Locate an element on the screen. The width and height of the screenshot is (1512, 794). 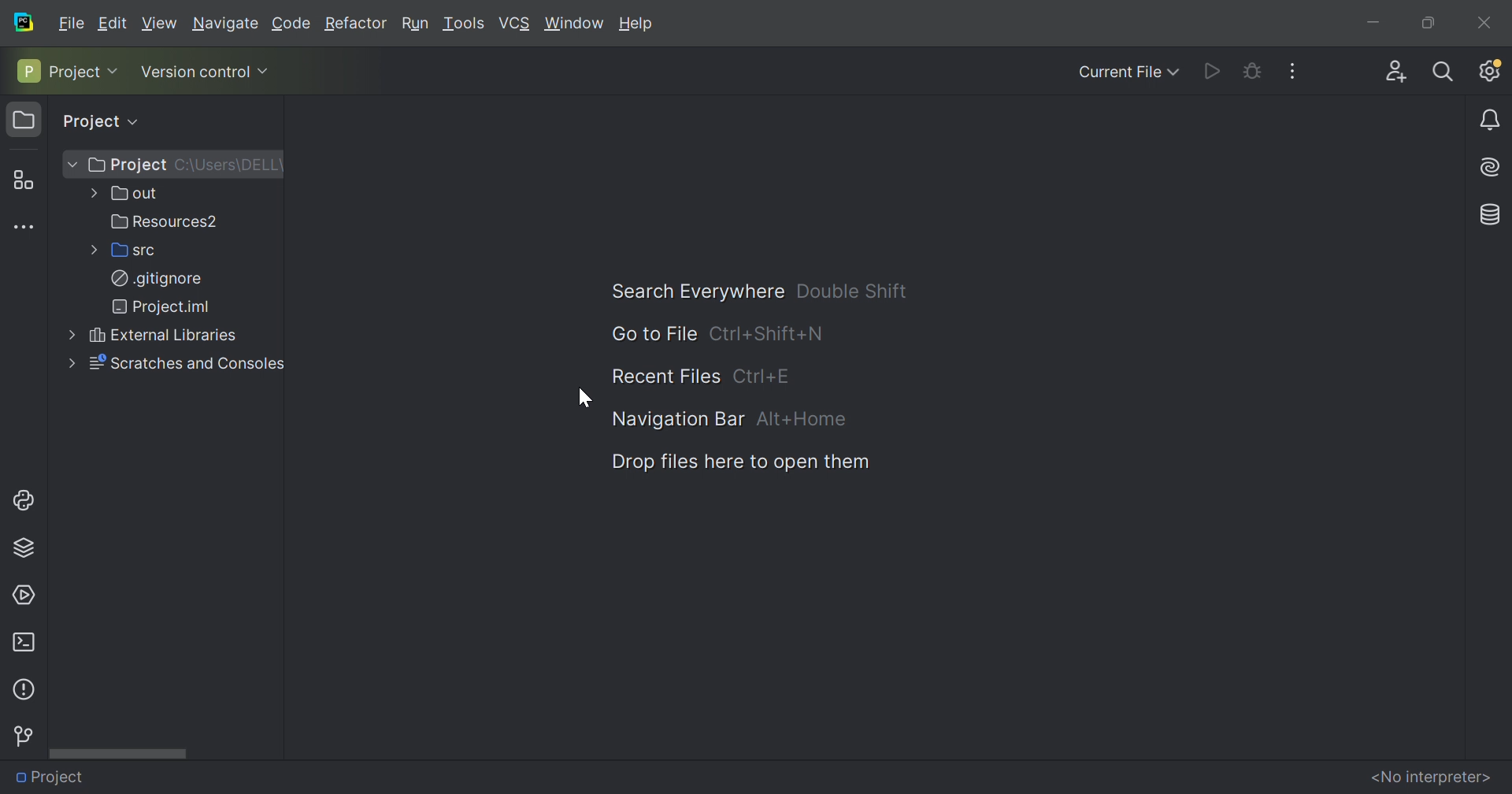
Window is located at coordinates (574, 24).